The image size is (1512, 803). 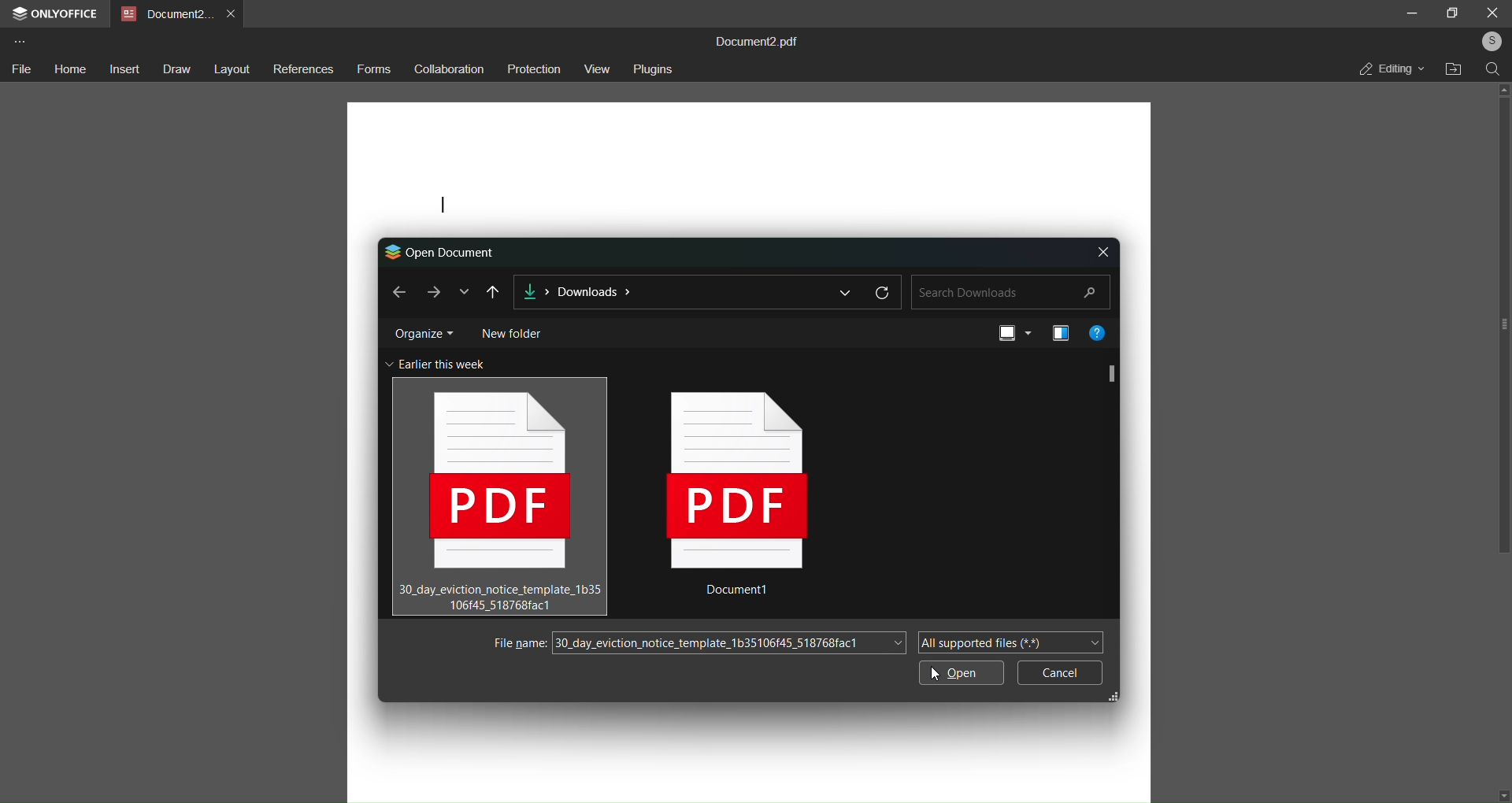 I want to click on preview, so click(x=1057, y=332).